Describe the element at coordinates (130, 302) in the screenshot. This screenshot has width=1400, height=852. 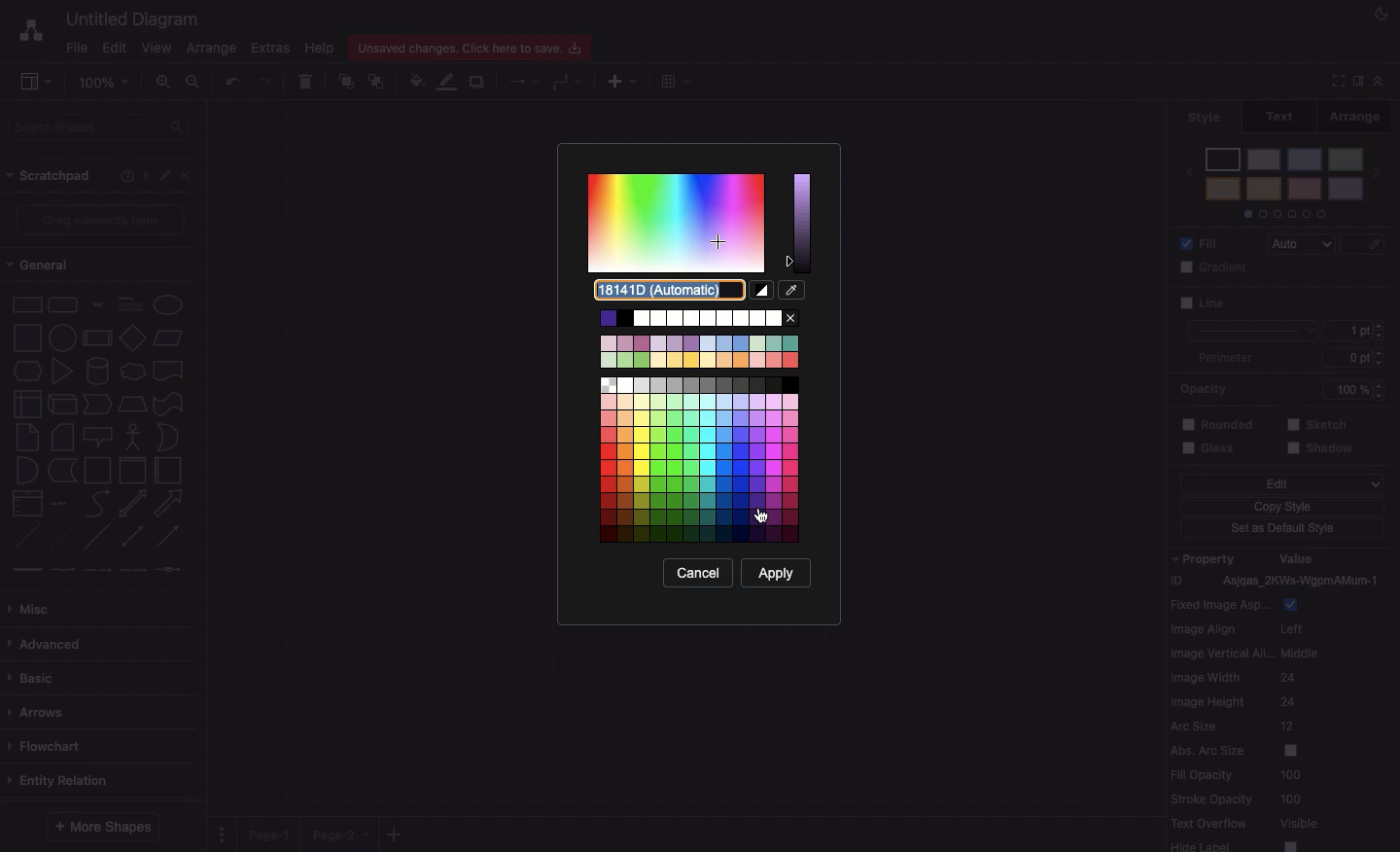
I see `heading` at that location.